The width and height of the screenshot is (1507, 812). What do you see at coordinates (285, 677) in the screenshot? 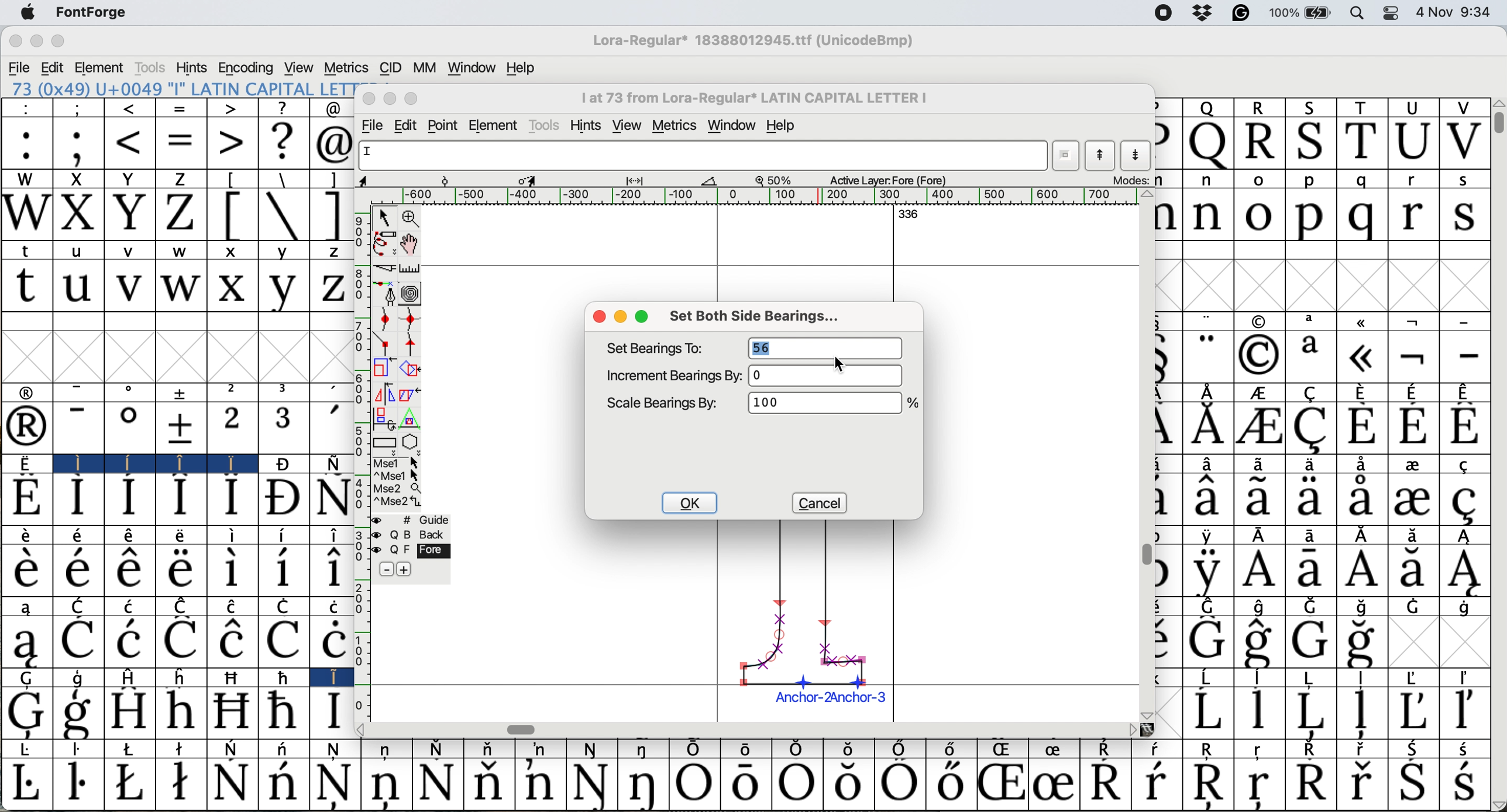
I see `Symbol` at bounding box center [285, 677].